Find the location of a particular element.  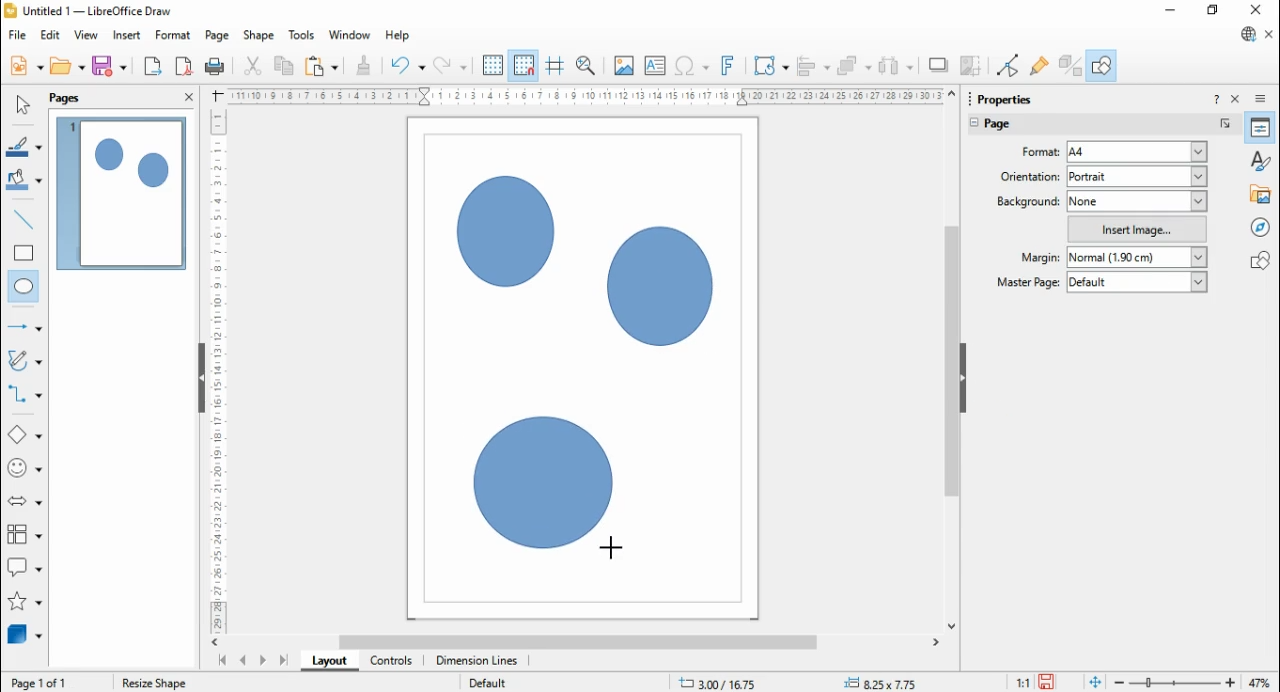

margin is located at coordinates (1038, 257).